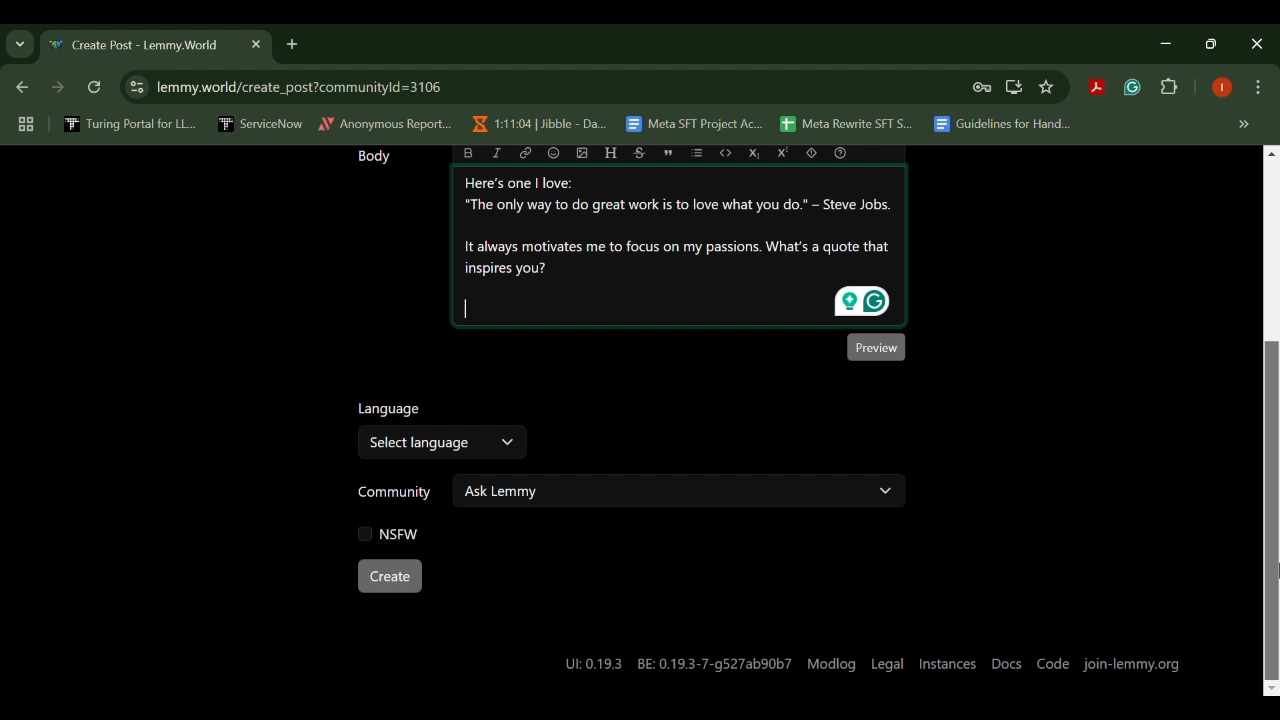 The height and width of the screenshot is (720, 1280). Describe the element at coordinates (610, 153) in the screenshot. I see `header` at that location.